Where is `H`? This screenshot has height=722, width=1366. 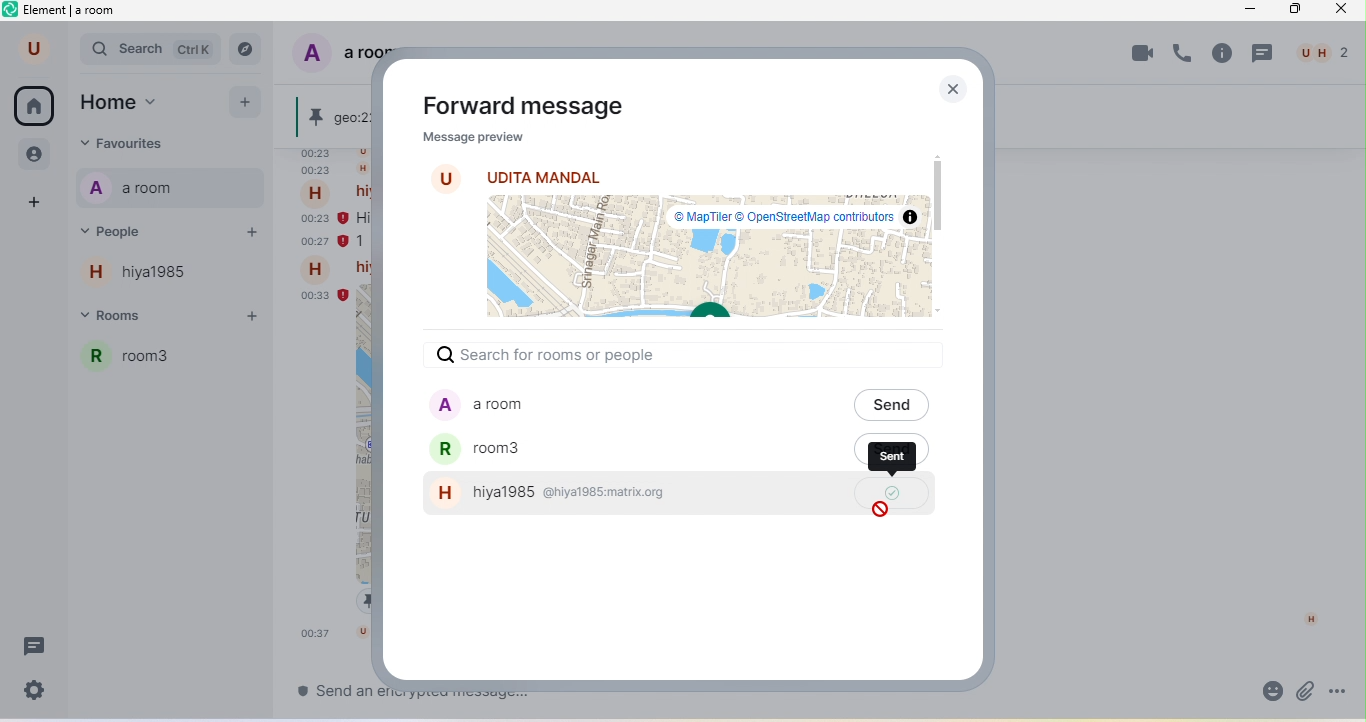
H is located at coordinates (1311, 619).